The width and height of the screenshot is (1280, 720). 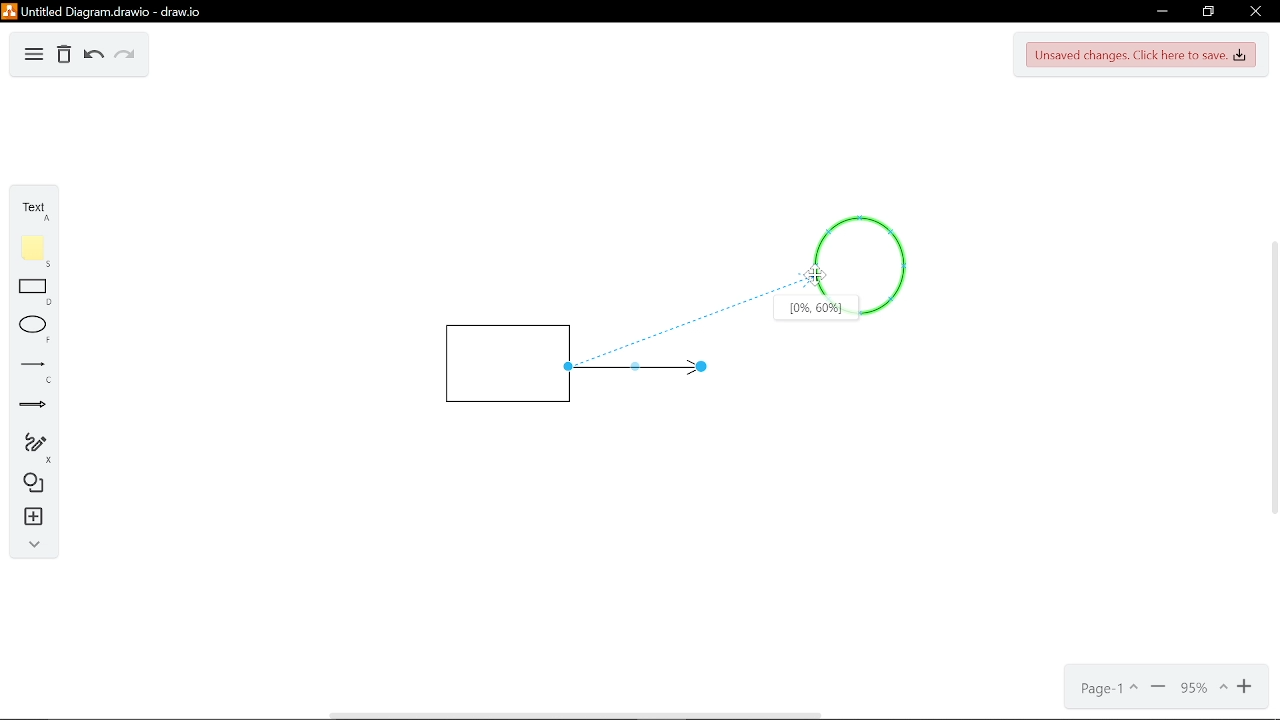 What do you see at coordinates (34, 56) in the screenshot?
I see `Diagram` at bounding box center [34, 56].